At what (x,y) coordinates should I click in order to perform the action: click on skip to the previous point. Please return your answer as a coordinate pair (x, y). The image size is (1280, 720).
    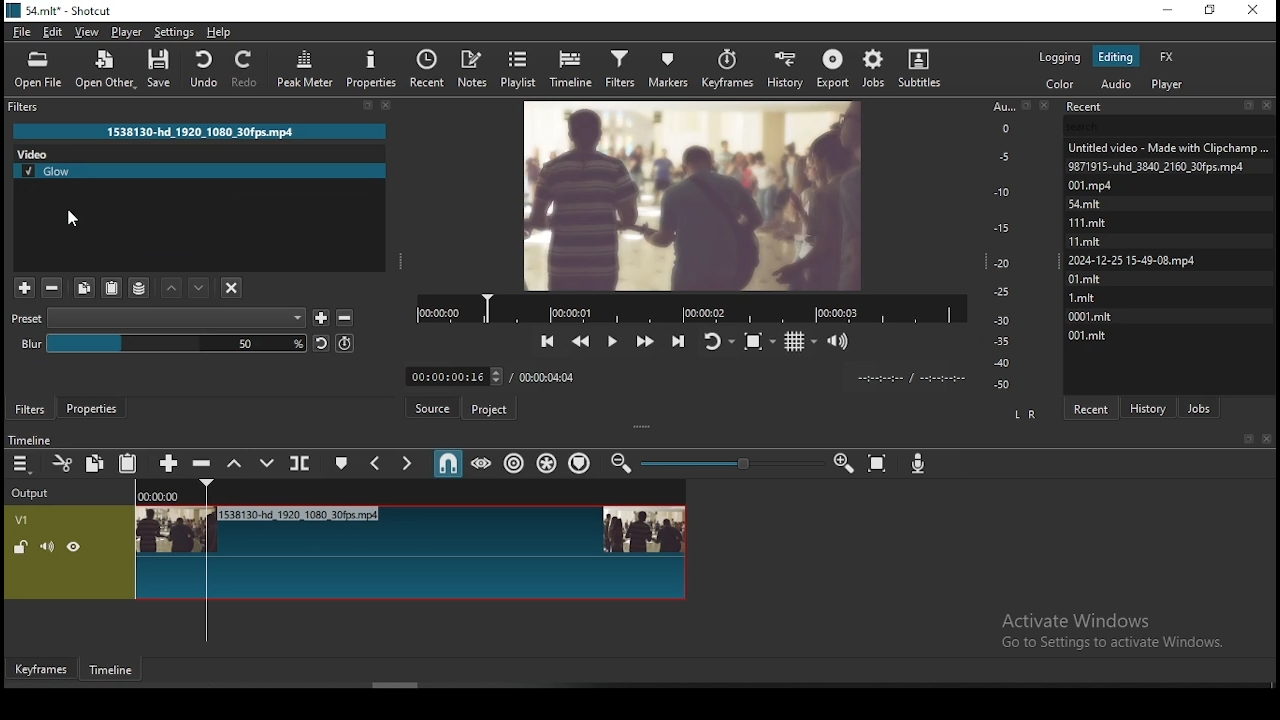
    Looking at the image, I should click on (548, 342).